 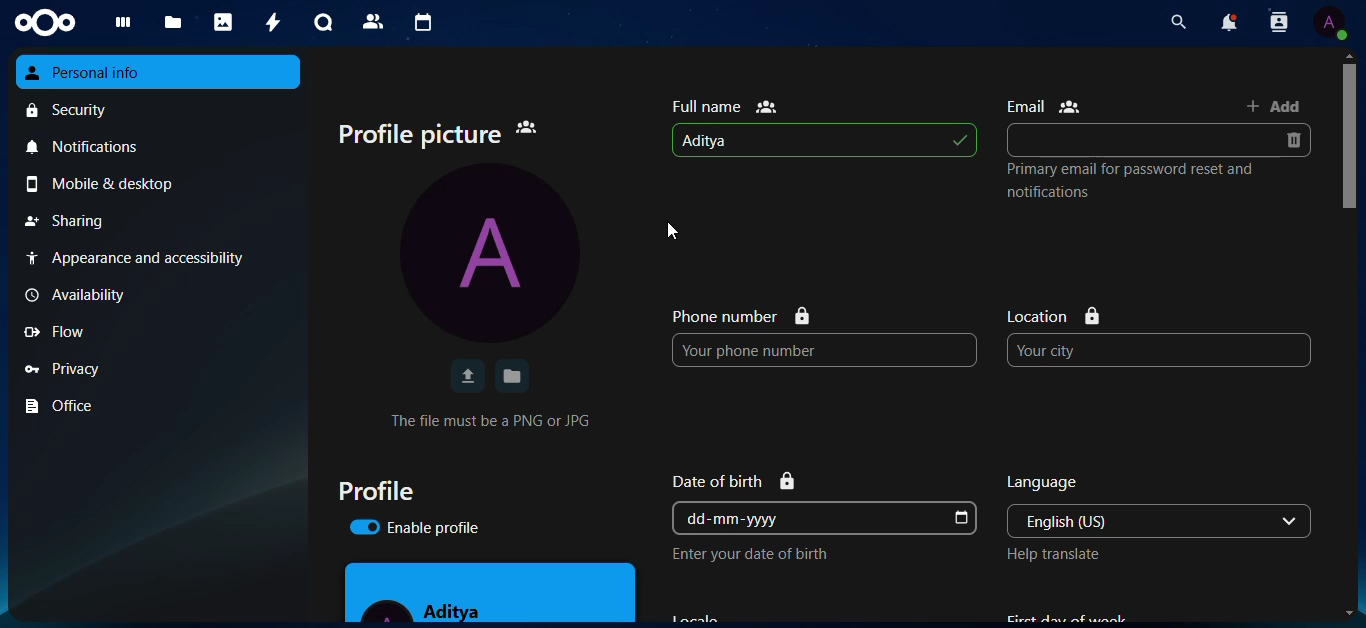 What do you see at coordinates (1329, 22) in the screenshot?
I see `profile` at bounding box center [1329, 22].